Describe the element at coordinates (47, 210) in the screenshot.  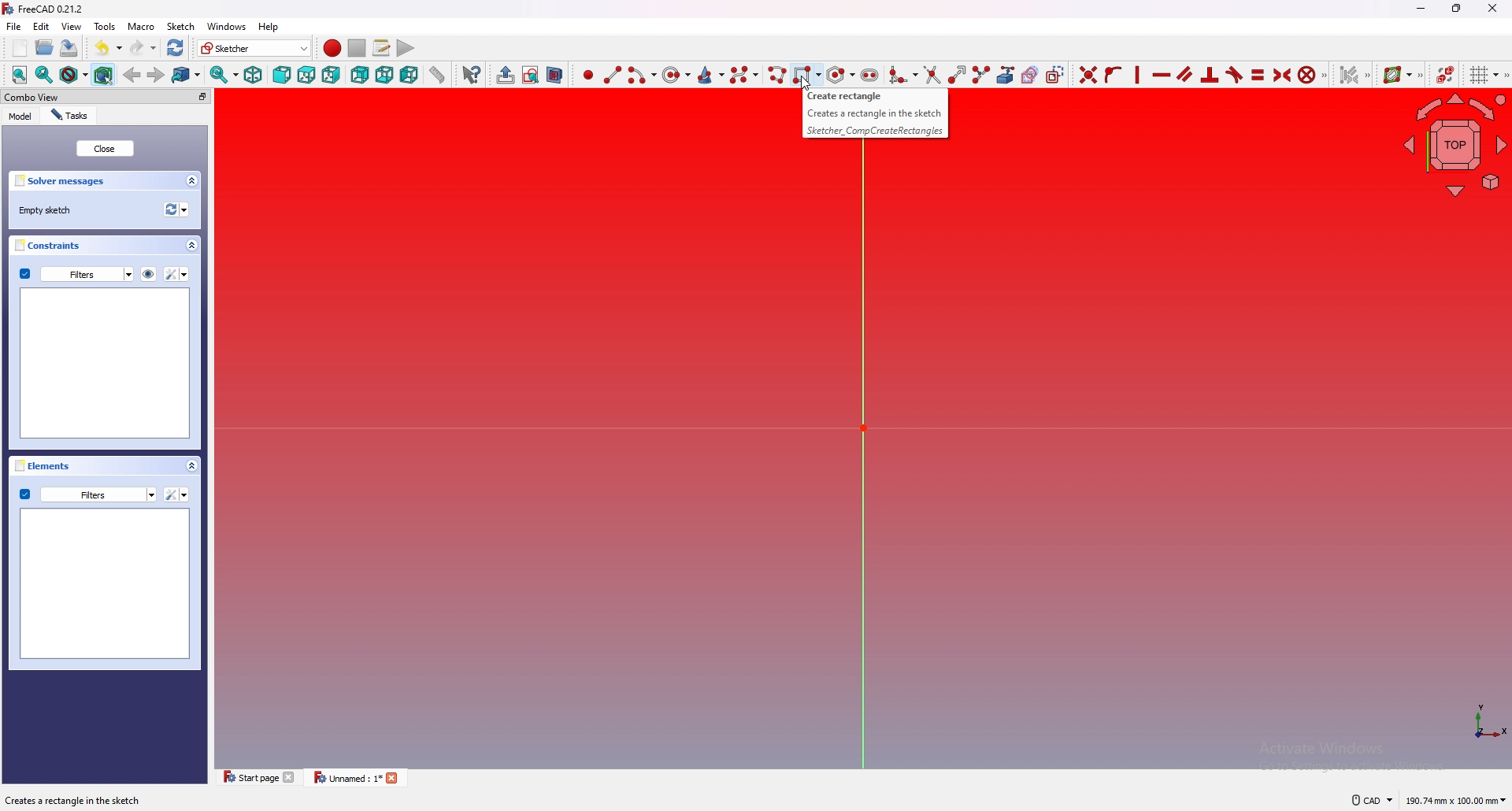
I see `empty sketch` at that location.